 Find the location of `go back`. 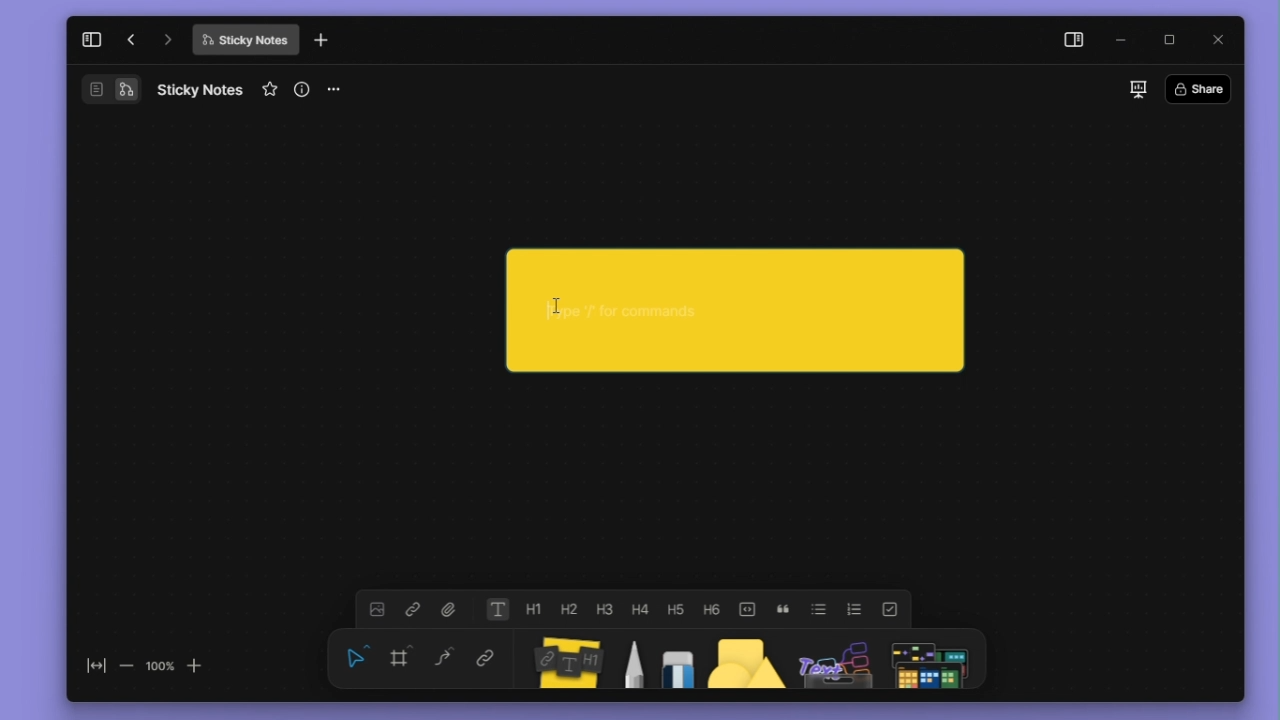

go back is located at coordinates (128, 45).